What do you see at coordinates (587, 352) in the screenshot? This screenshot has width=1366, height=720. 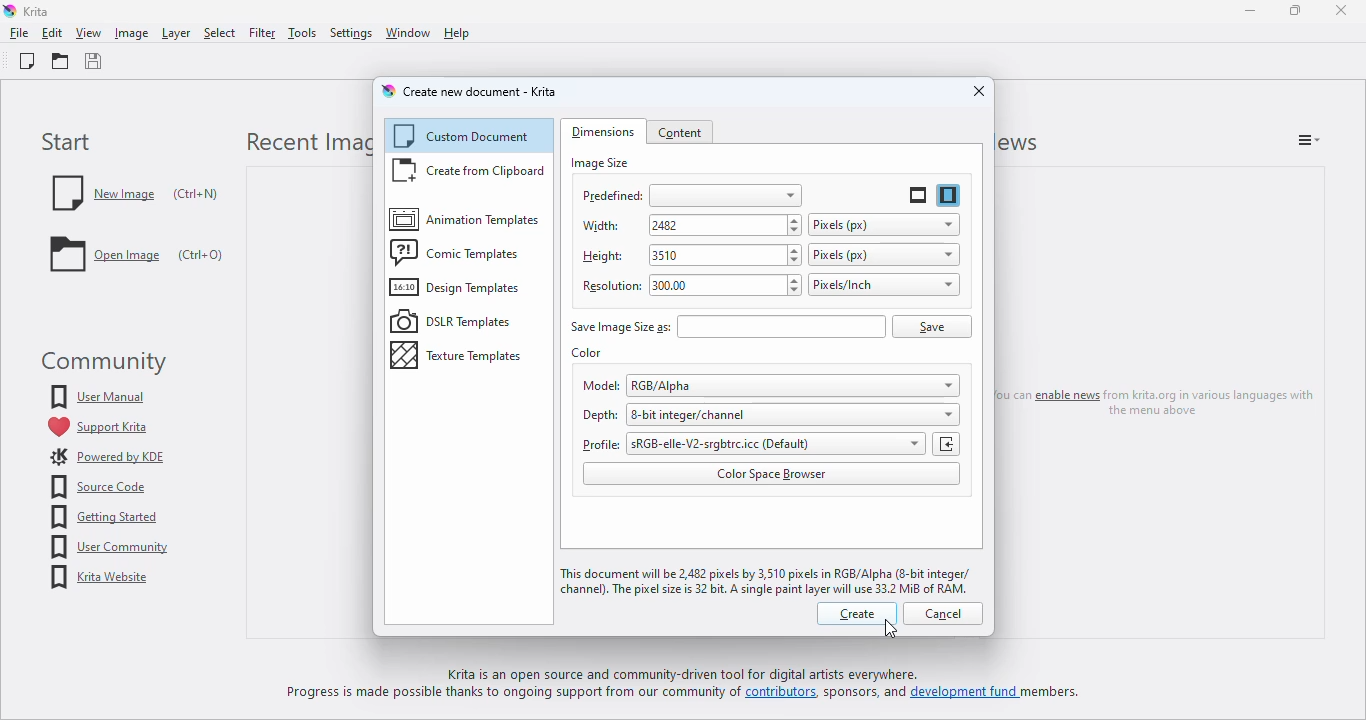 I see `color` at bounding box center [587, 352].